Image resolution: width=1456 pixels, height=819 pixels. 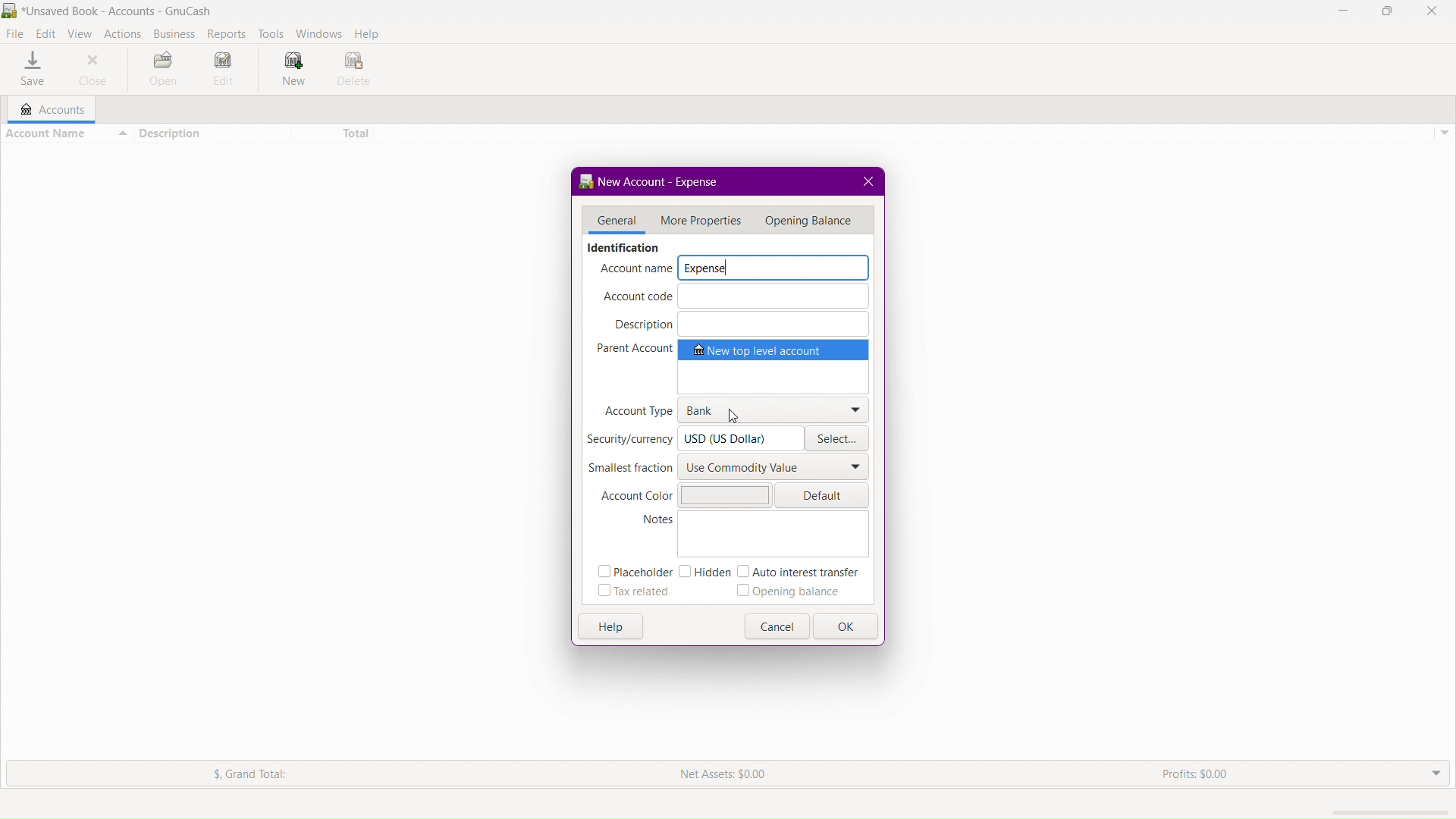 I want to click on Minimize, so click(x=1345, y=11).